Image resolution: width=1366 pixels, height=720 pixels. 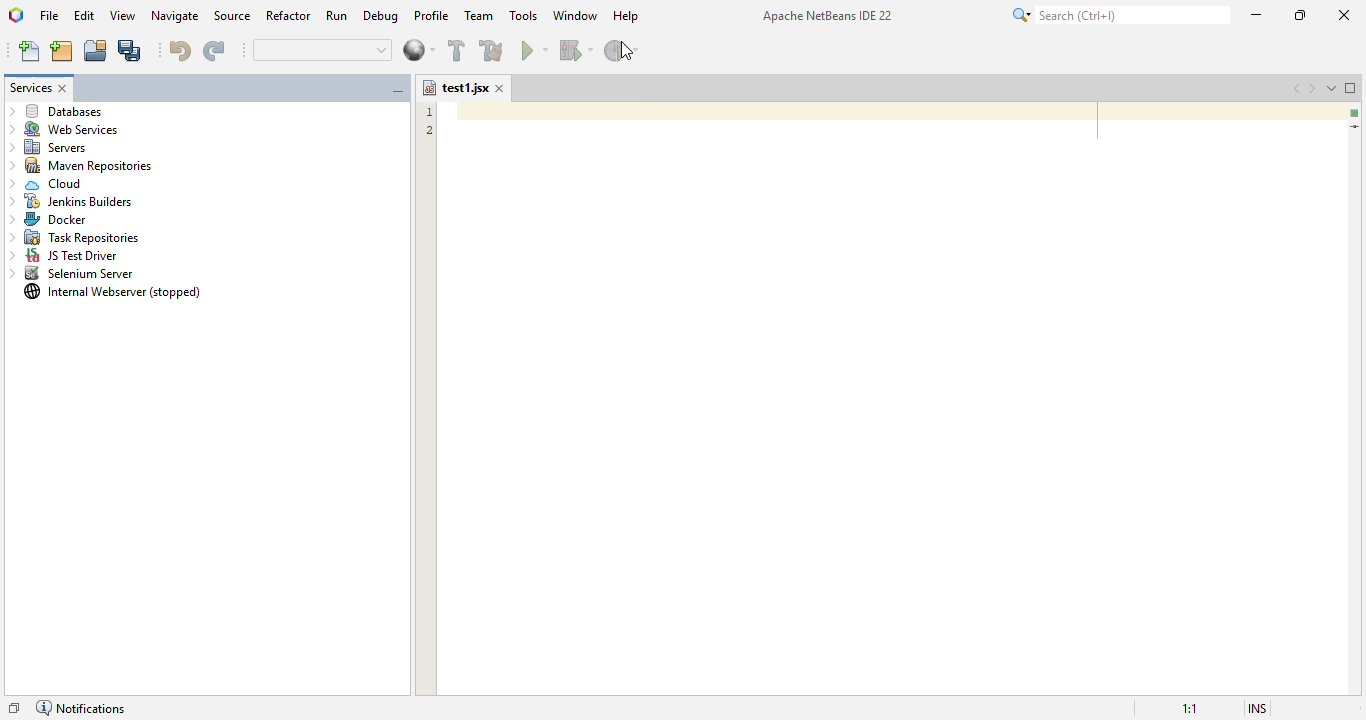 I want to click on view, so click(x=122, y=15).